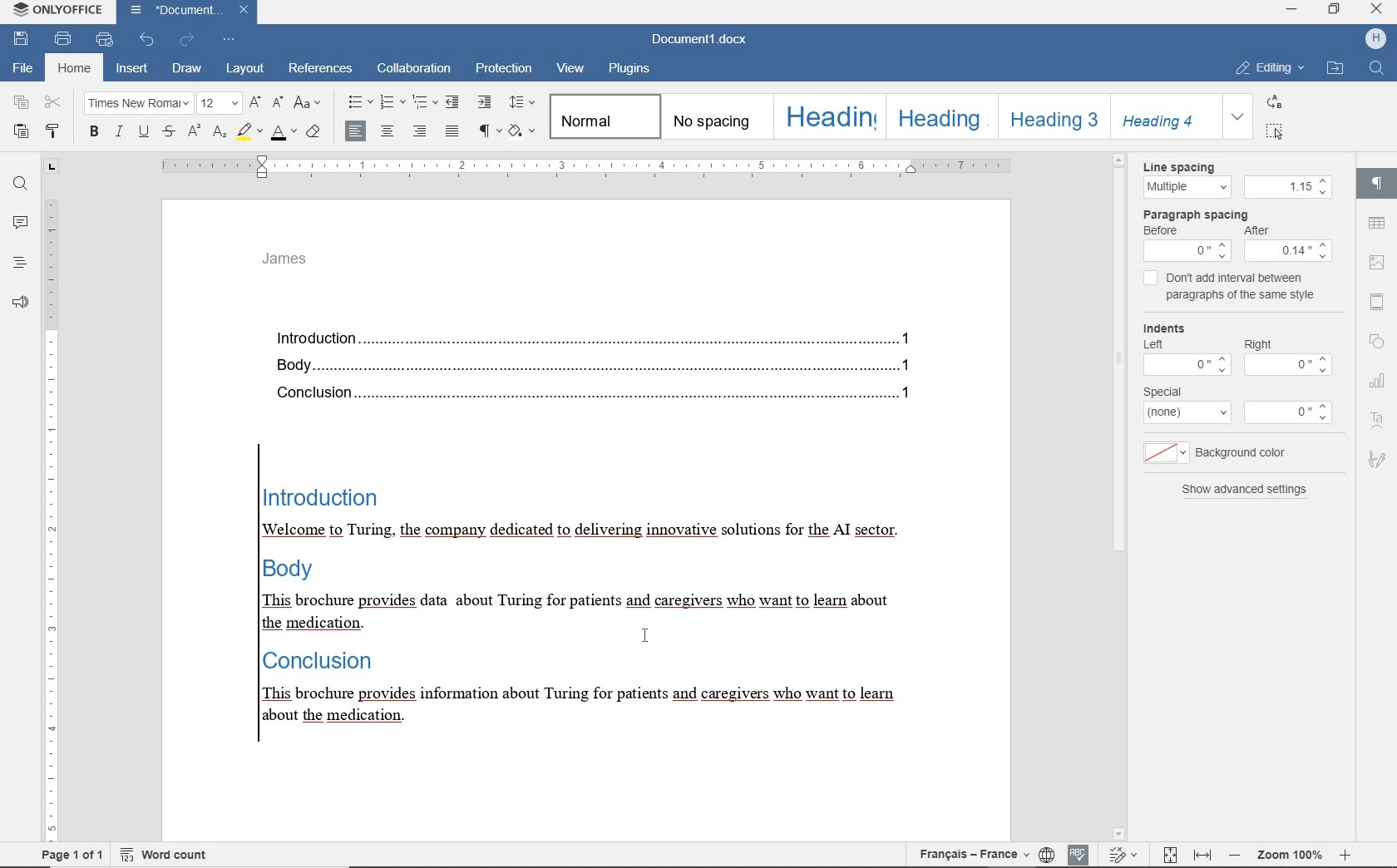  What do you see at coordinates (572, 67) in the screenshot?
I see `view` at bounding box center [572, 67].